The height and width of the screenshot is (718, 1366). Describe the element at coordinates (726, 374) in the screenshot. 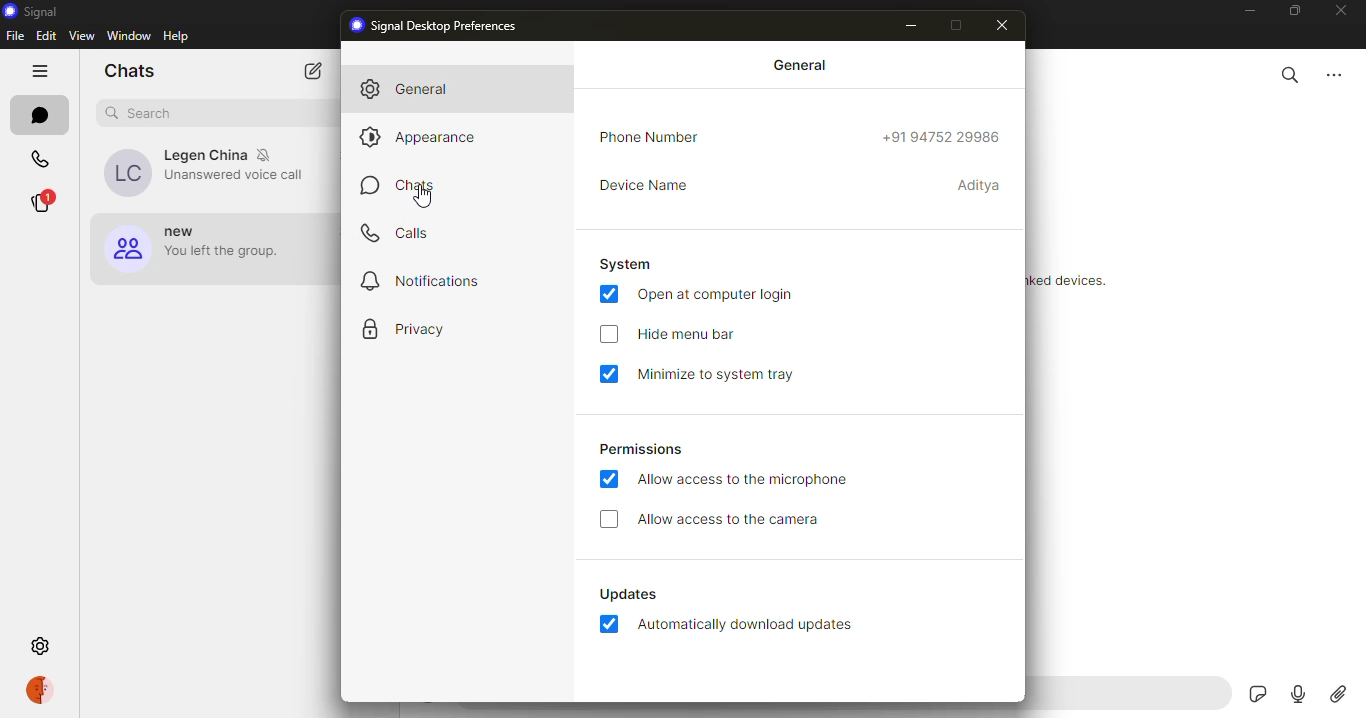

I see `minimize system tray` at that location.